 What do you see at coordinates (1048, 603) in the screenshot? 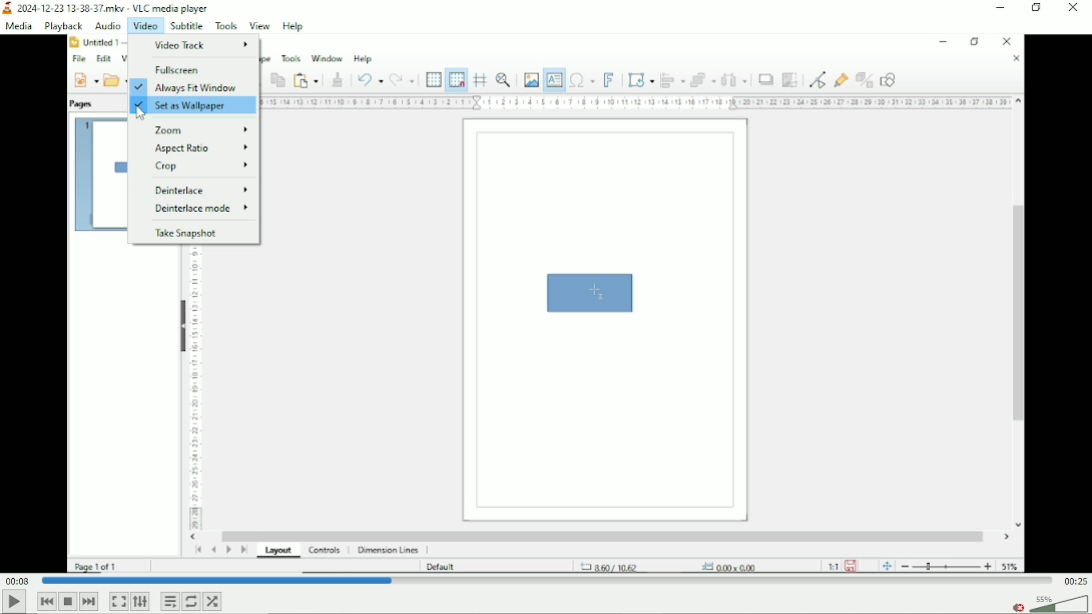
I see `Volume` at bounding box center [1048, 603].